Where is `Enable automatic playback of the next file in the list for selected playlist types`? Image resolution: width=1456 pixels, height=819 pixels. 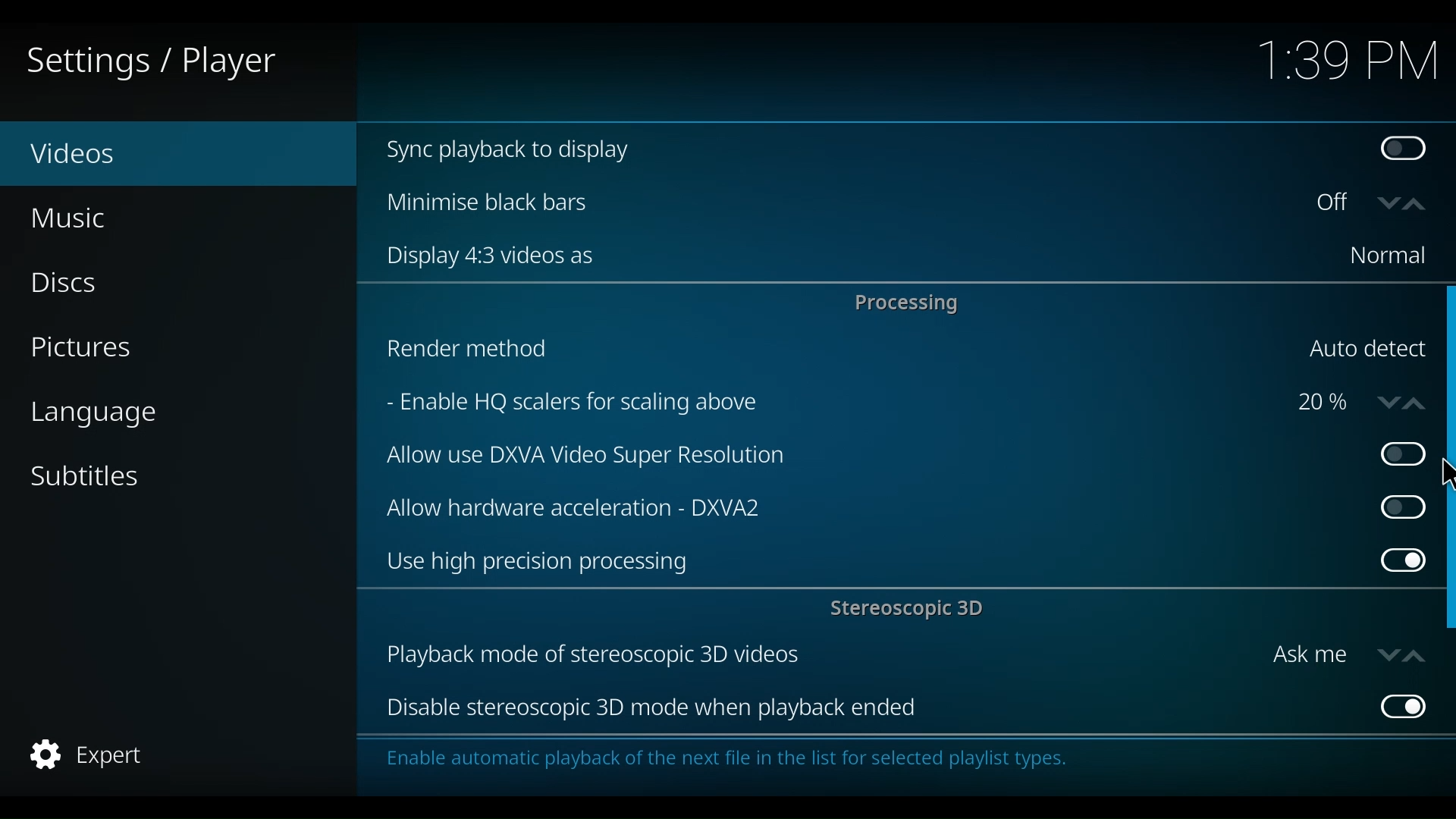 Enable automatic playback of the next file in the list for selected playlist types is located at coordinates (733, 763).